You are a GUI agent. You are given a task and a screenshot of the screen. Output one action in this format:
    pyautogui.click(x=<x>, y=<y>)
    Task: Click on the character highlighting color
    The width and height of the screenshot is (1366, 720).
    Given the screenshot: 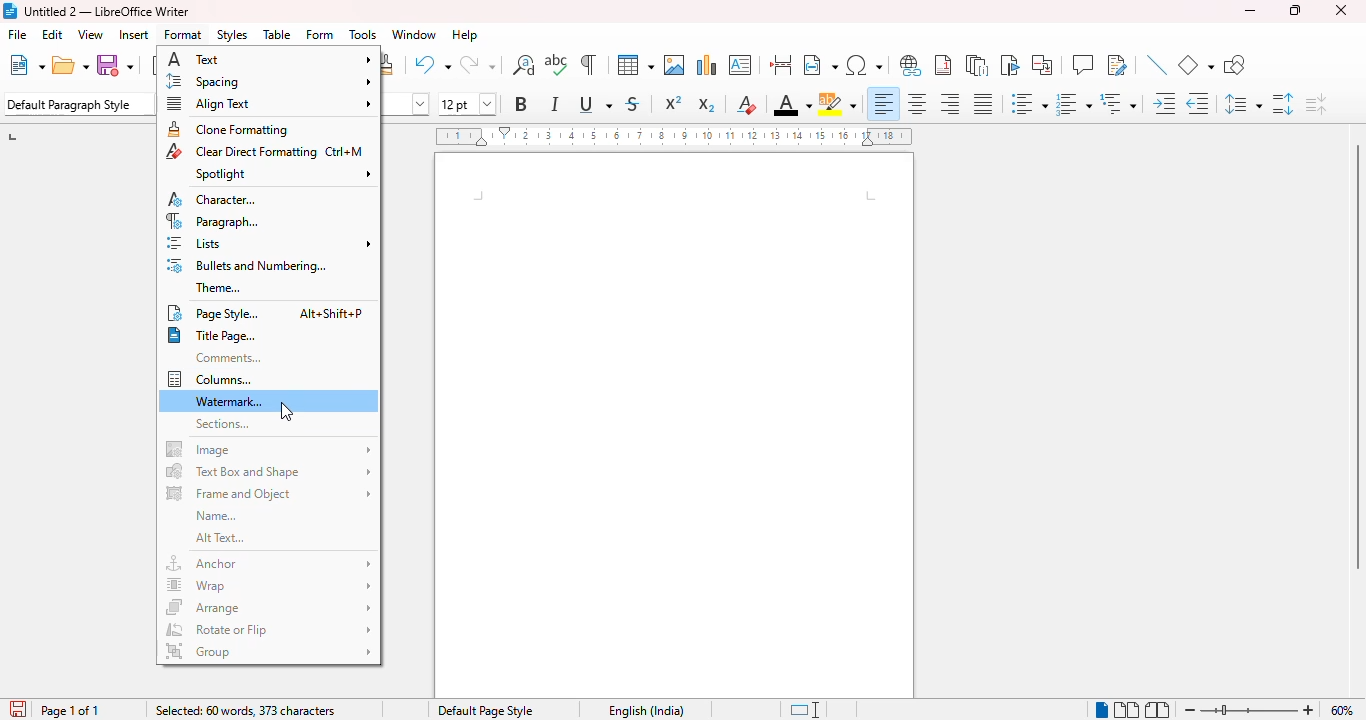 What is the action you would take?
    pyautogui.click(x=838, y=104)
    